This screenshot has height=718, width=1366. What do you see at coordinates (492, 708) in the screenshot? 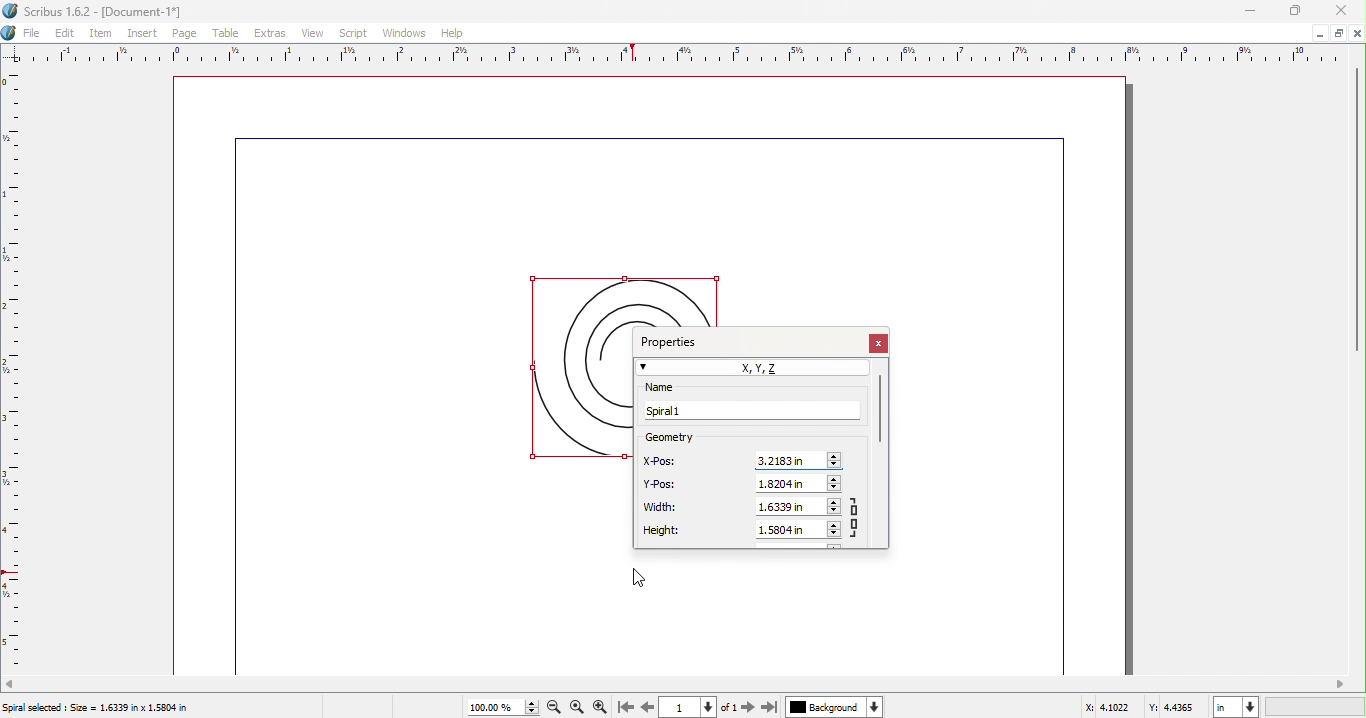
I see `Current zoom level` at bounding box center [492, 708].